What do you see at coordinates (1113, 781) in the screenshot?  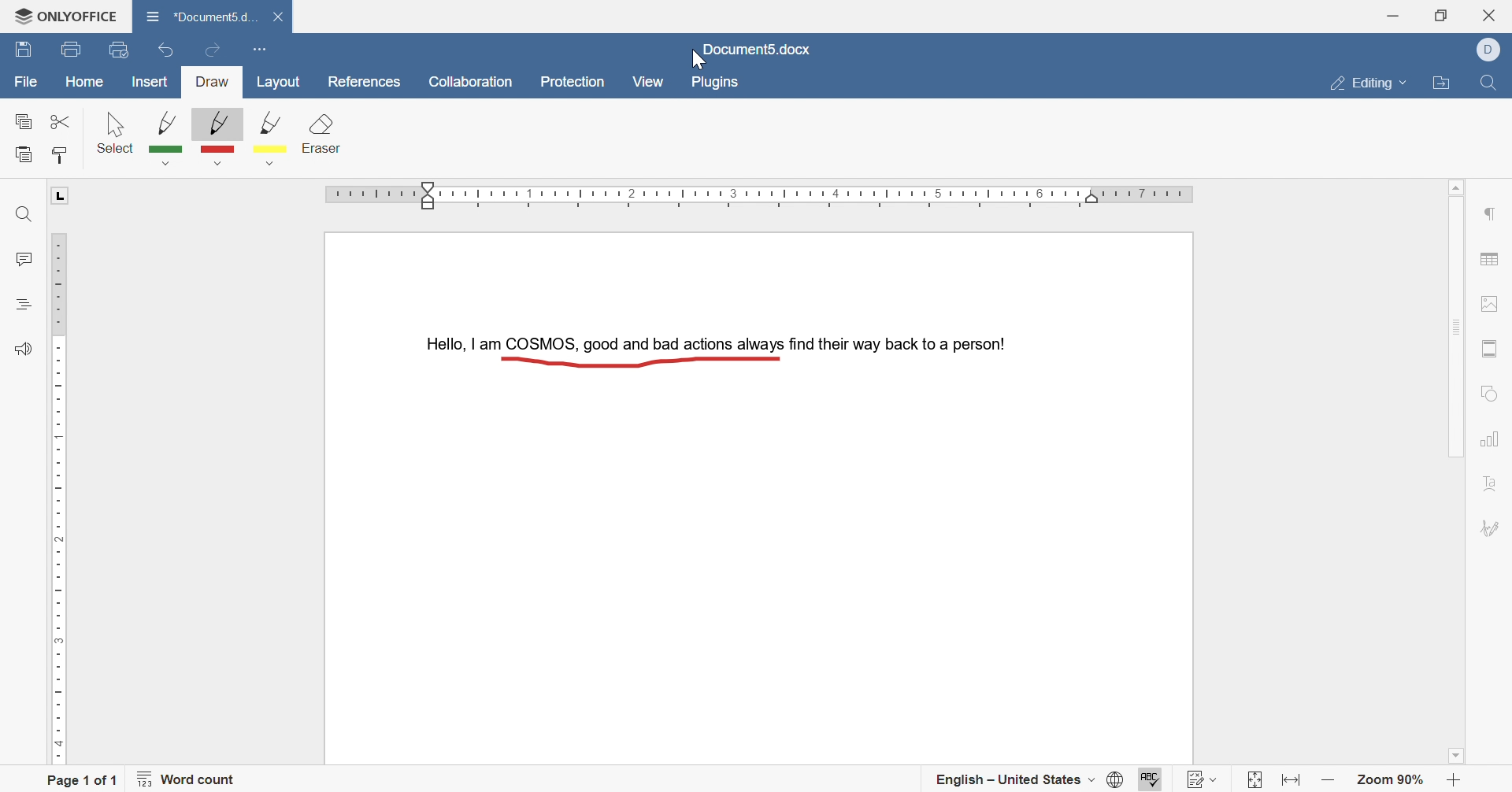 I see `set document language` at bounding box center [1113, 781].